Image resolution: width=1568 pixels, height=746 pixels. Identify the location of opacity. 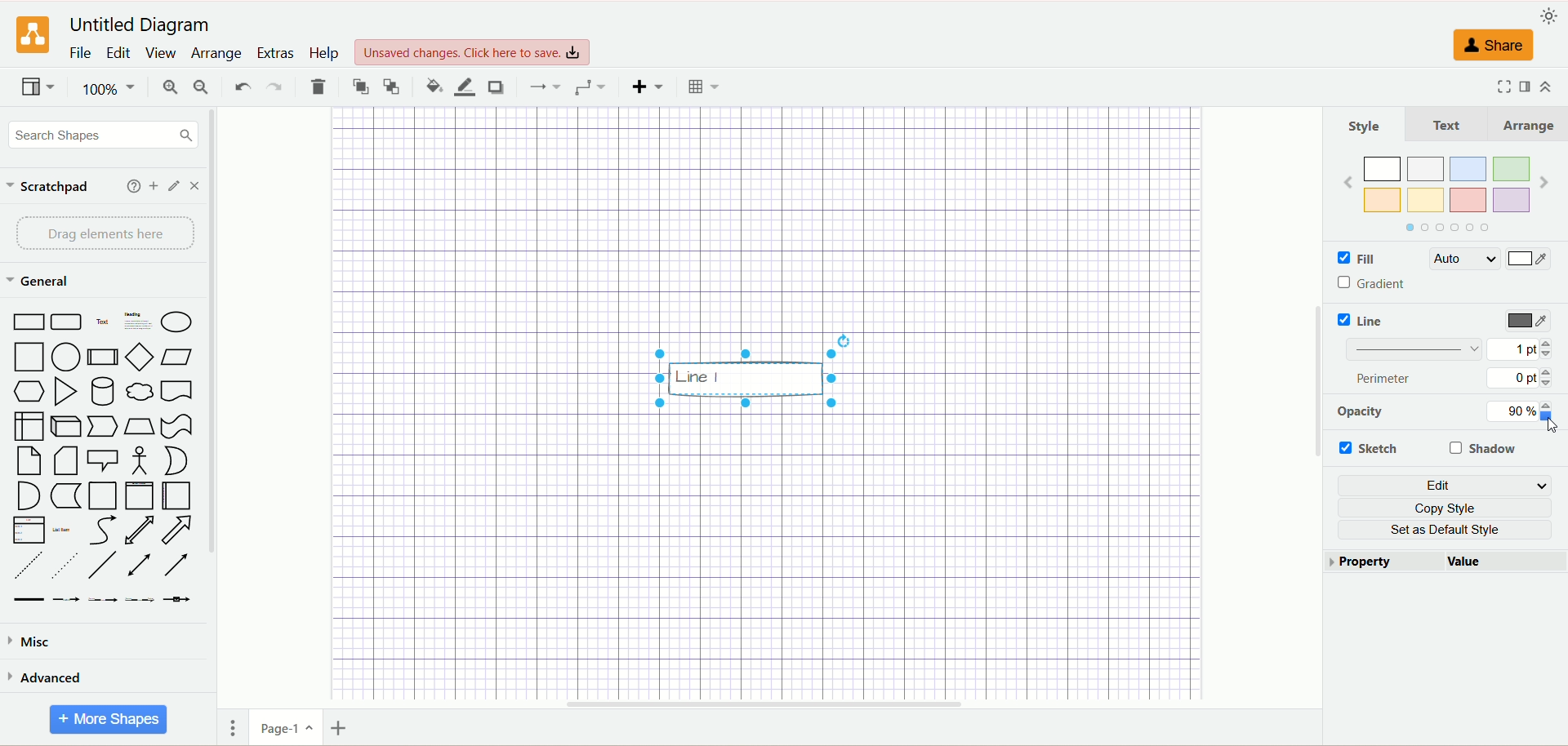
(1358, 413).